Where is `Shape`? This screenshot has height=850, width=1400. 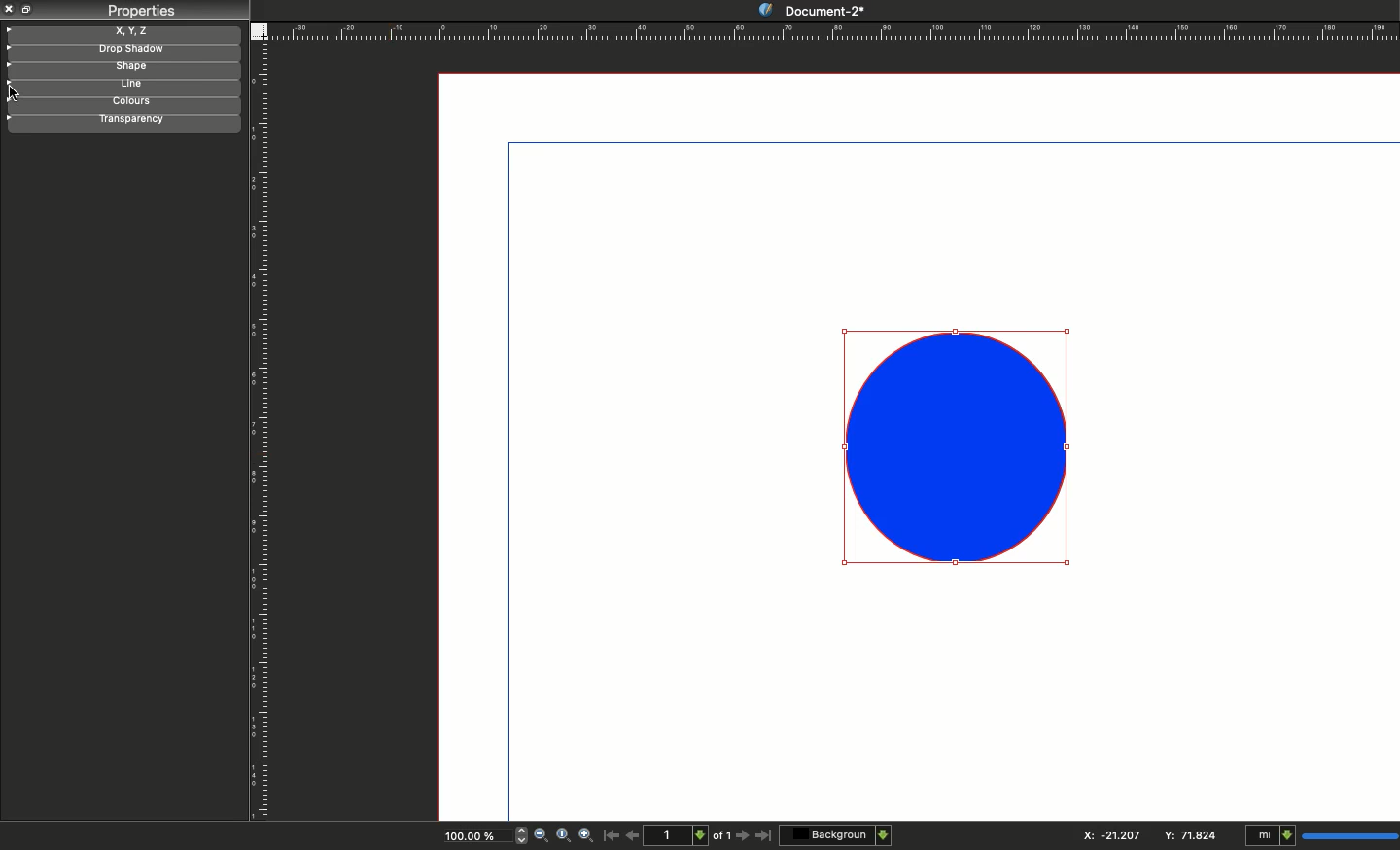
Shape is located at coordinates (122, 69).